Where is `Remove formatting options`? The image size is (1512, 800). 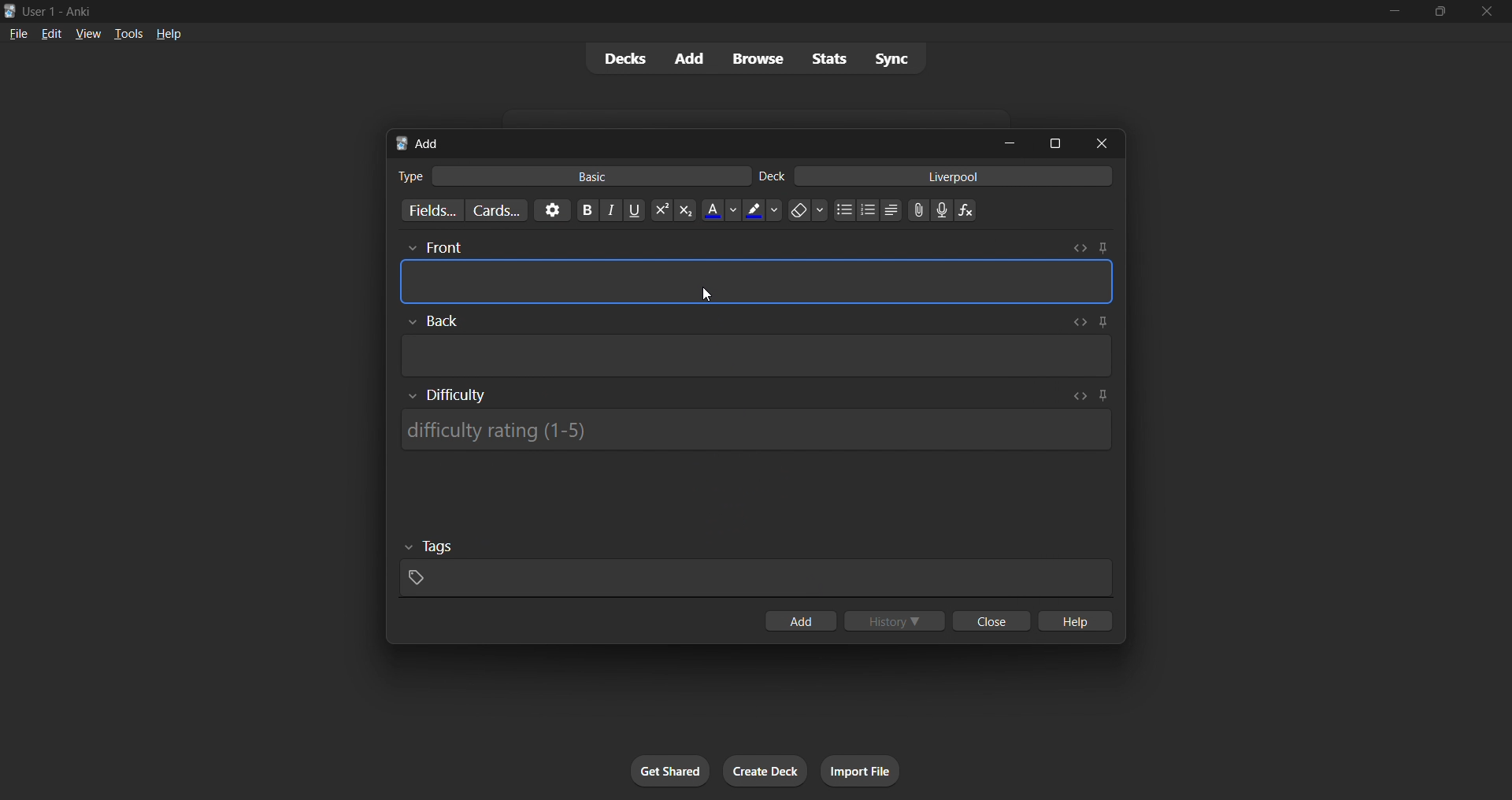 Remove formatting options is located at coordinates (809, 210).